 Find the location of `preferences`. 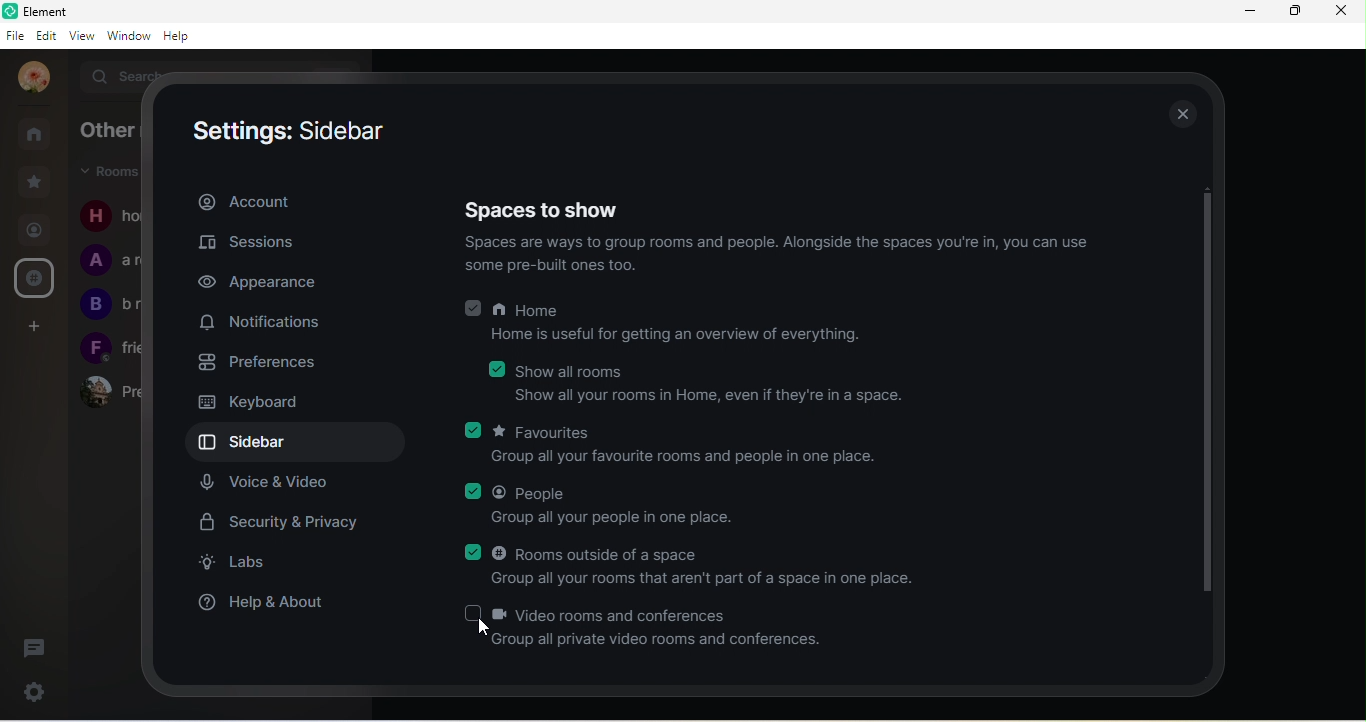

preferences is located at coordinates (267, 367).